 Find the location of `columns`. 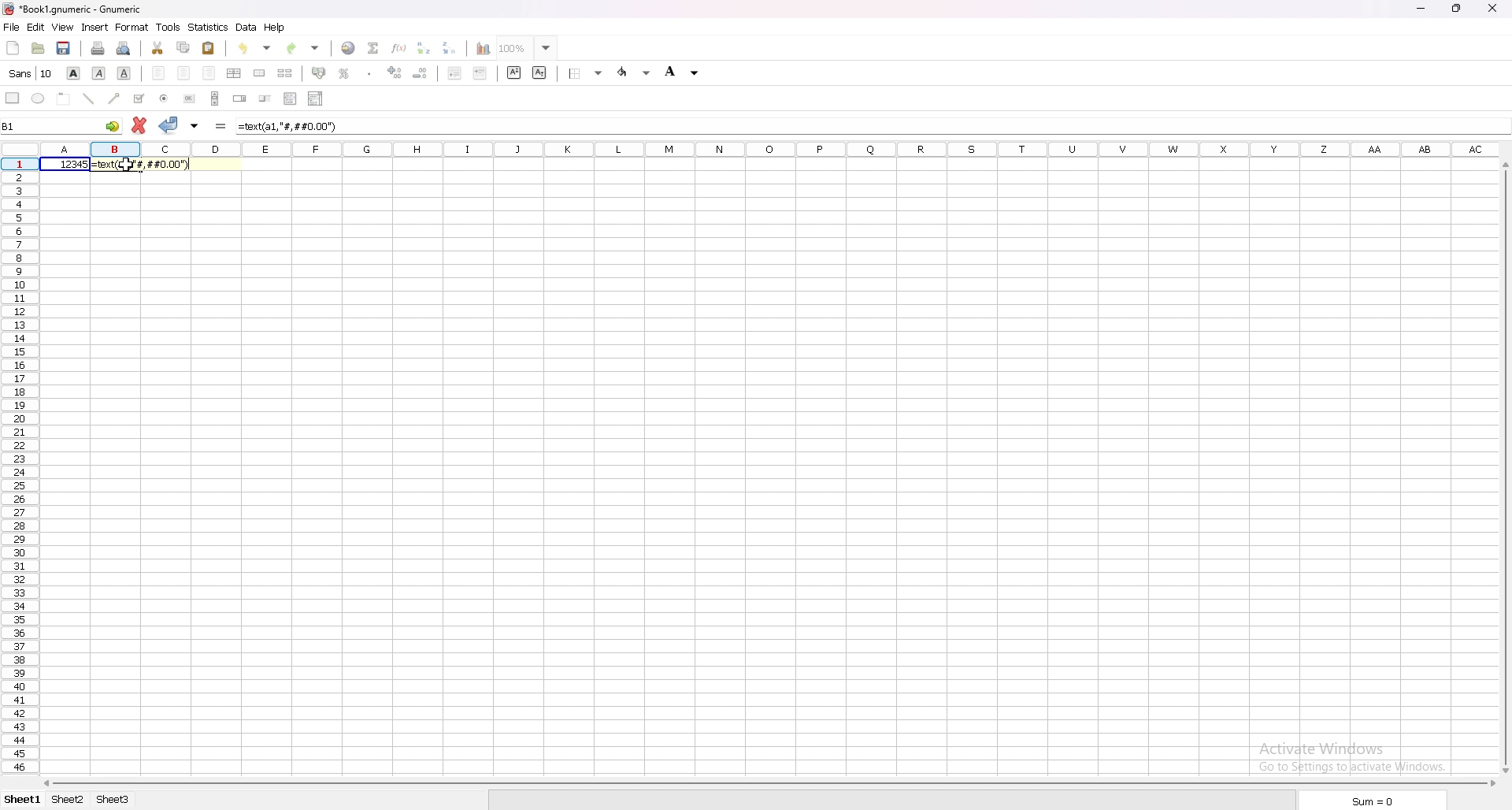

columns is located at coordinates (771, 147).